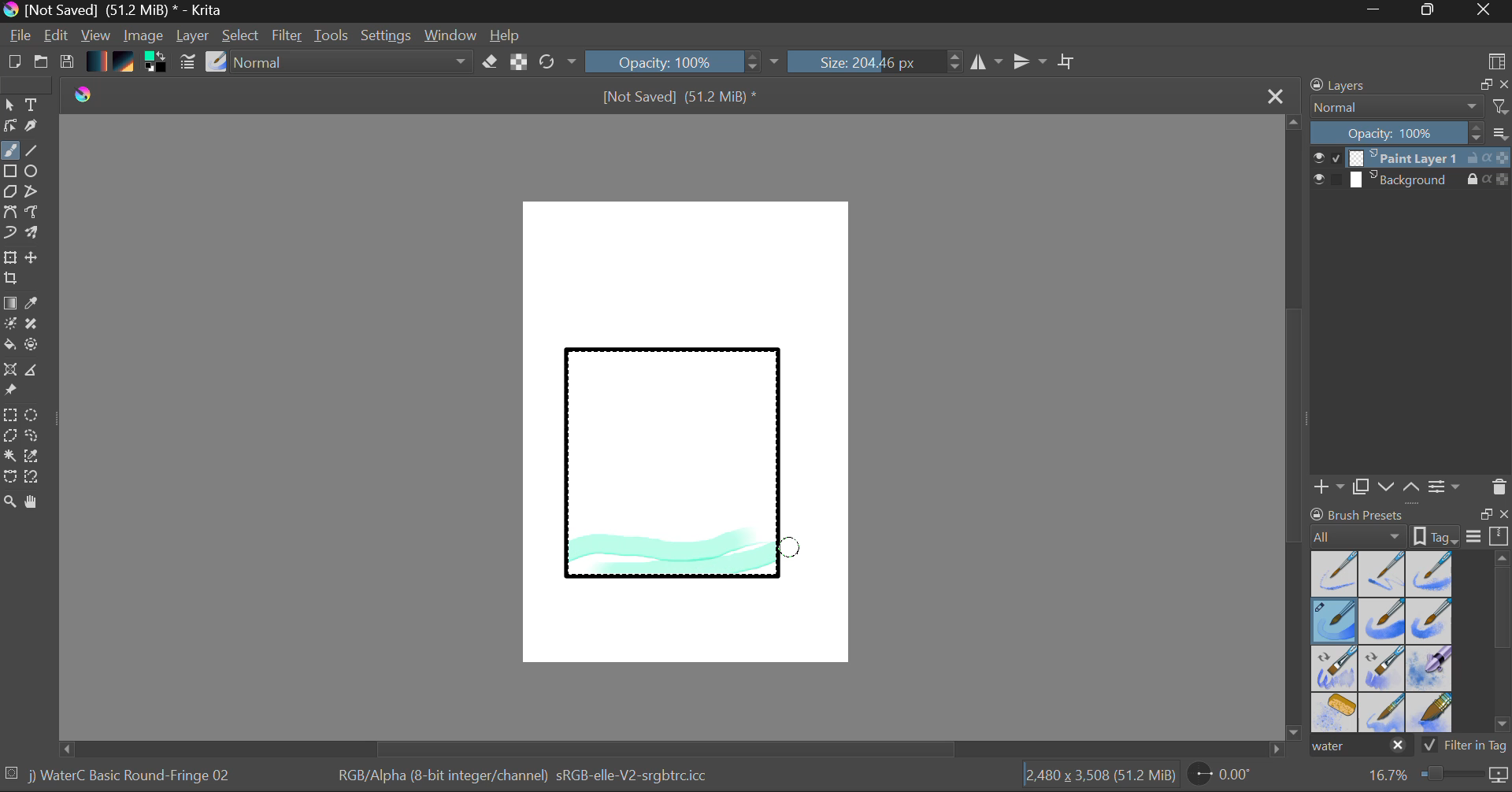  What do you see at coordinates (680, 98) in the screenshot?
I see `File Name & Size` at bounding box center [680, 98].